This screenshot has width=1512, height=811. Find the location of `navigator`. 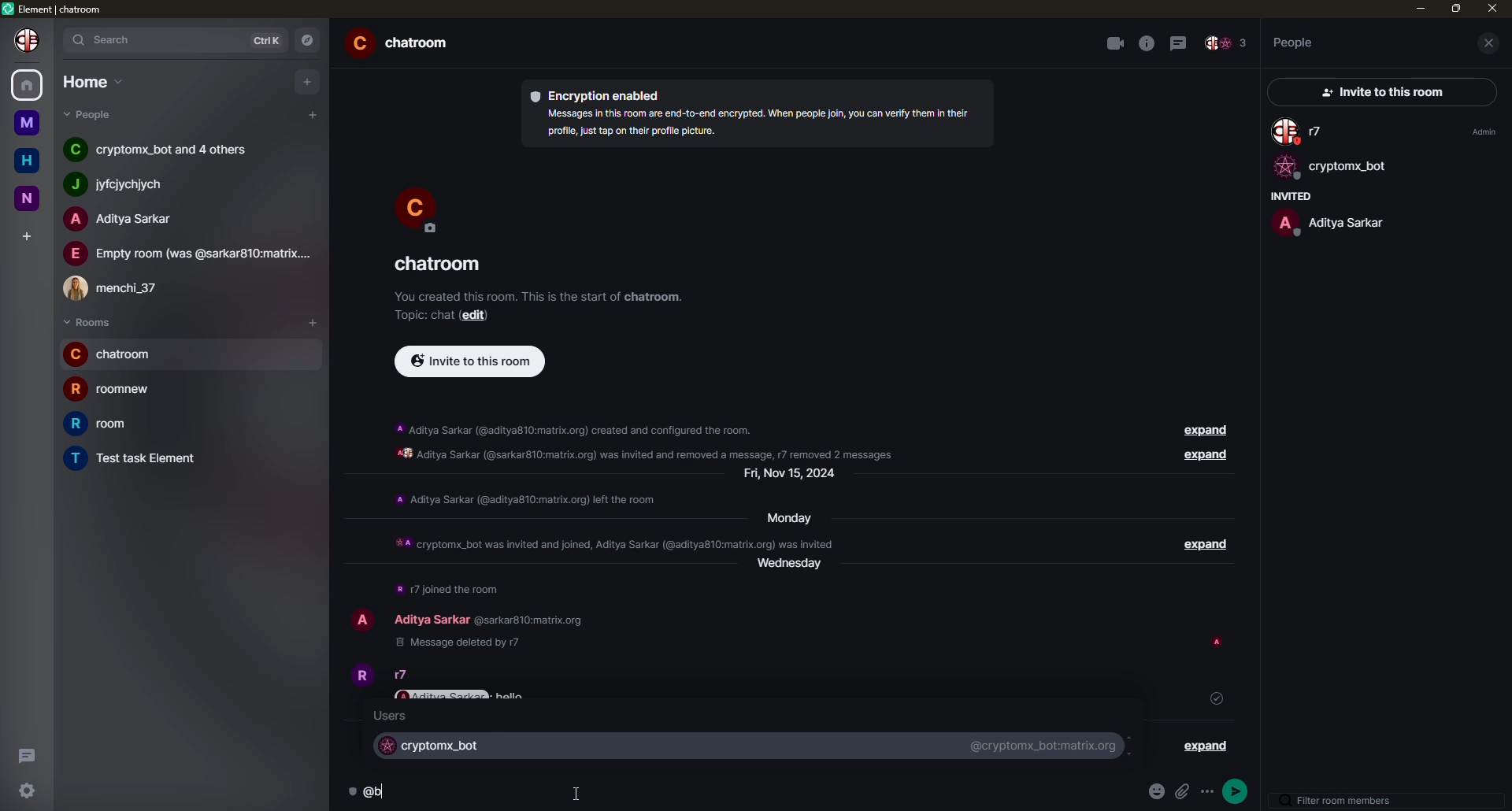

navigator is located at coordinates (312, 40).